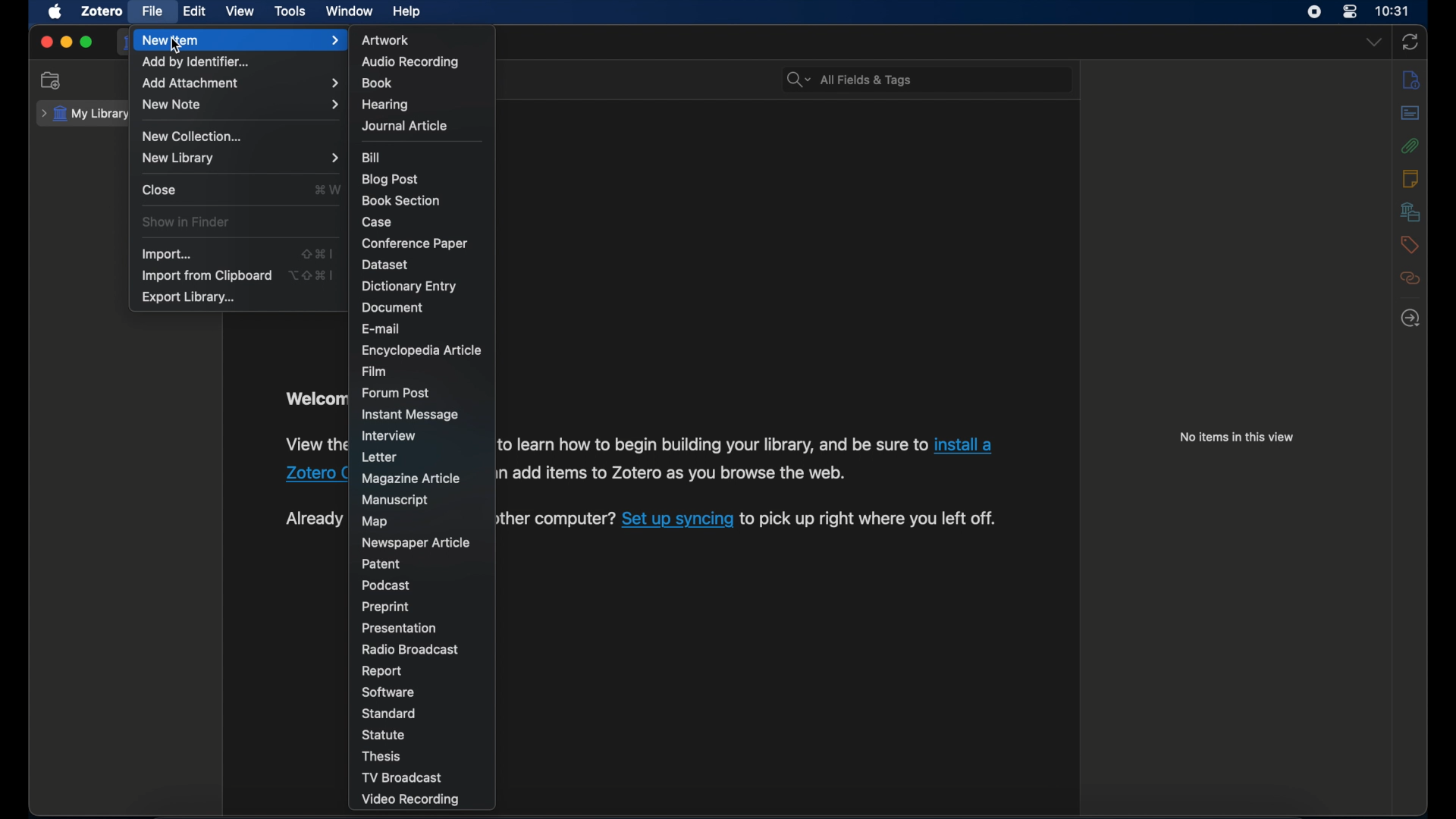  Describe the element at coordinates (196, 12) in the screenshot. I see `edit` at that location.